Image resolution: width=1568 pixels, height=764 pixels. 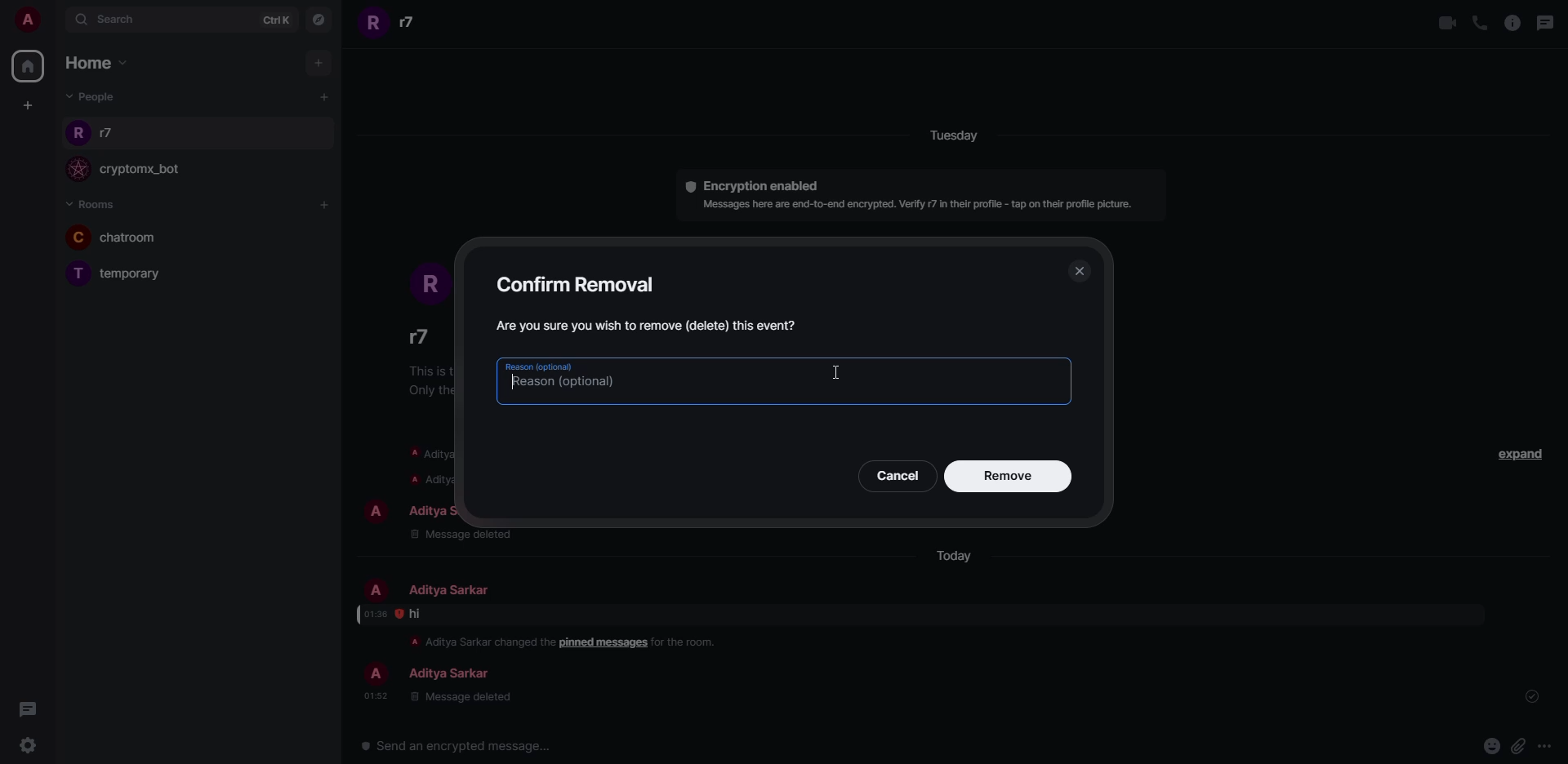 What do you see at coordinates (462, 534) in the screenshot?
I see `message deleted` at bounding box center [462, 534].